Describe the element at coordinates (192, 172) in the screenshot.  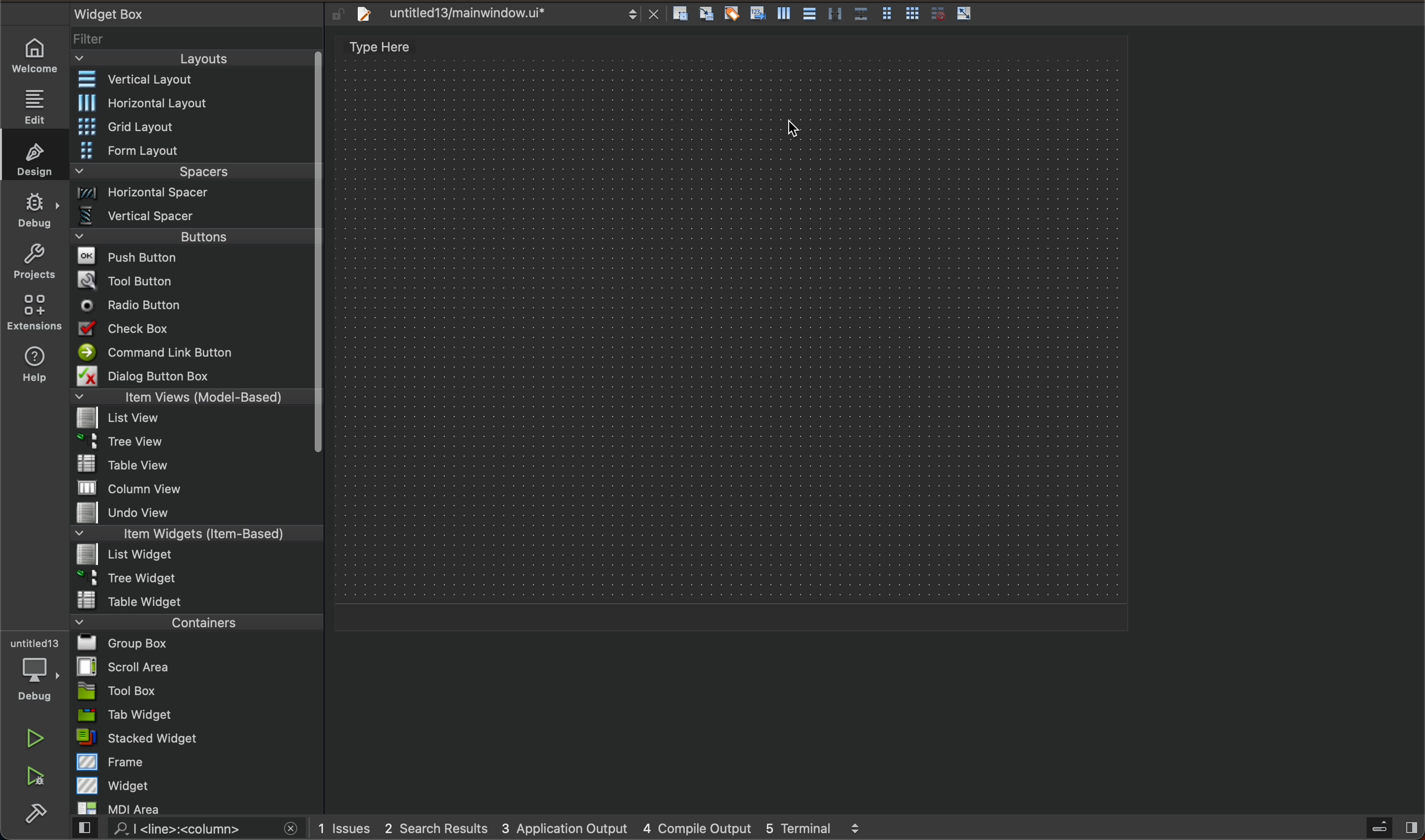
I see `spacers` at that location.